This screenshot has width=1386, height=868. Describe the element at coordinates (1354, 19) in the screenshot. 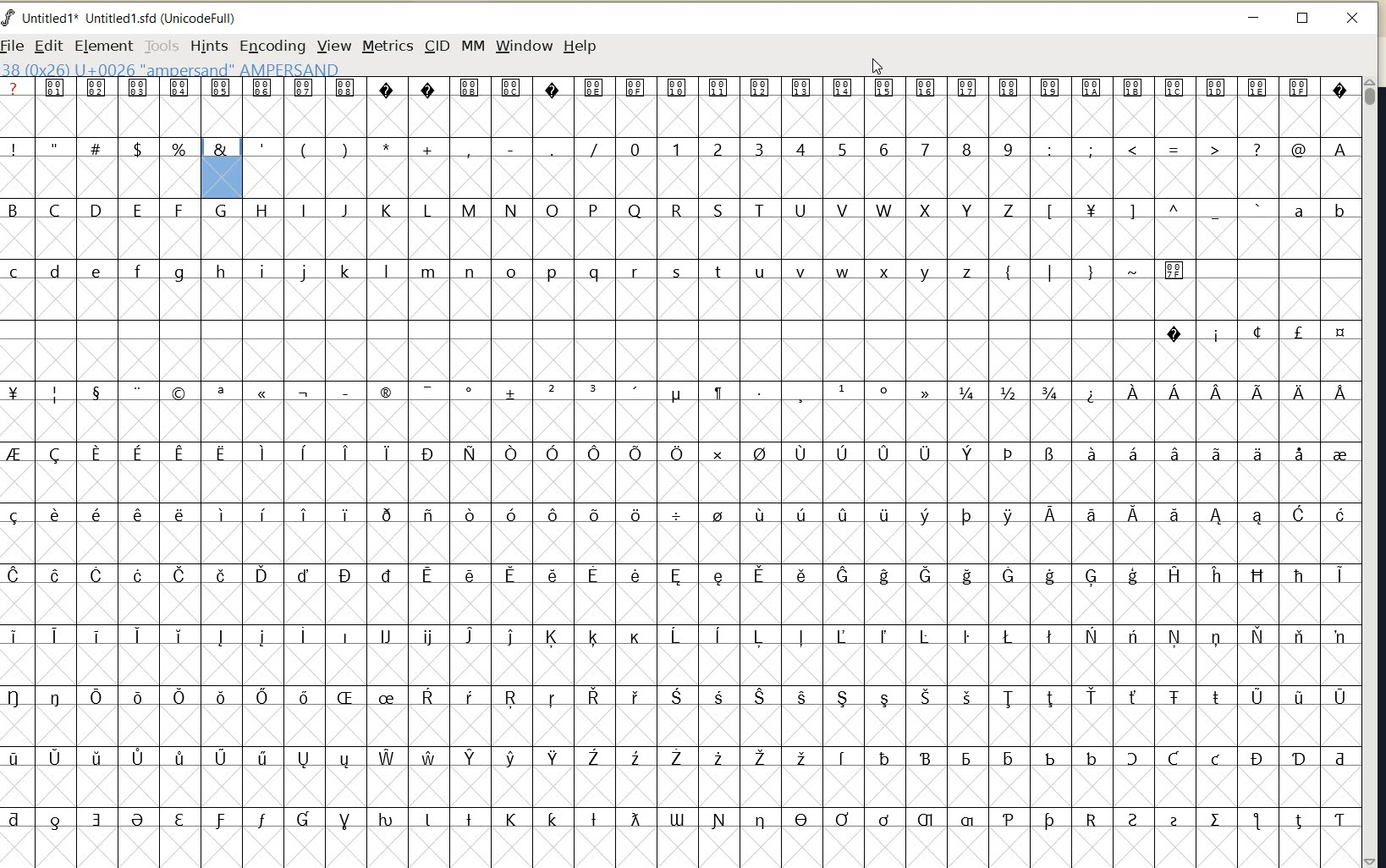

I see `CLOSE` at that location.